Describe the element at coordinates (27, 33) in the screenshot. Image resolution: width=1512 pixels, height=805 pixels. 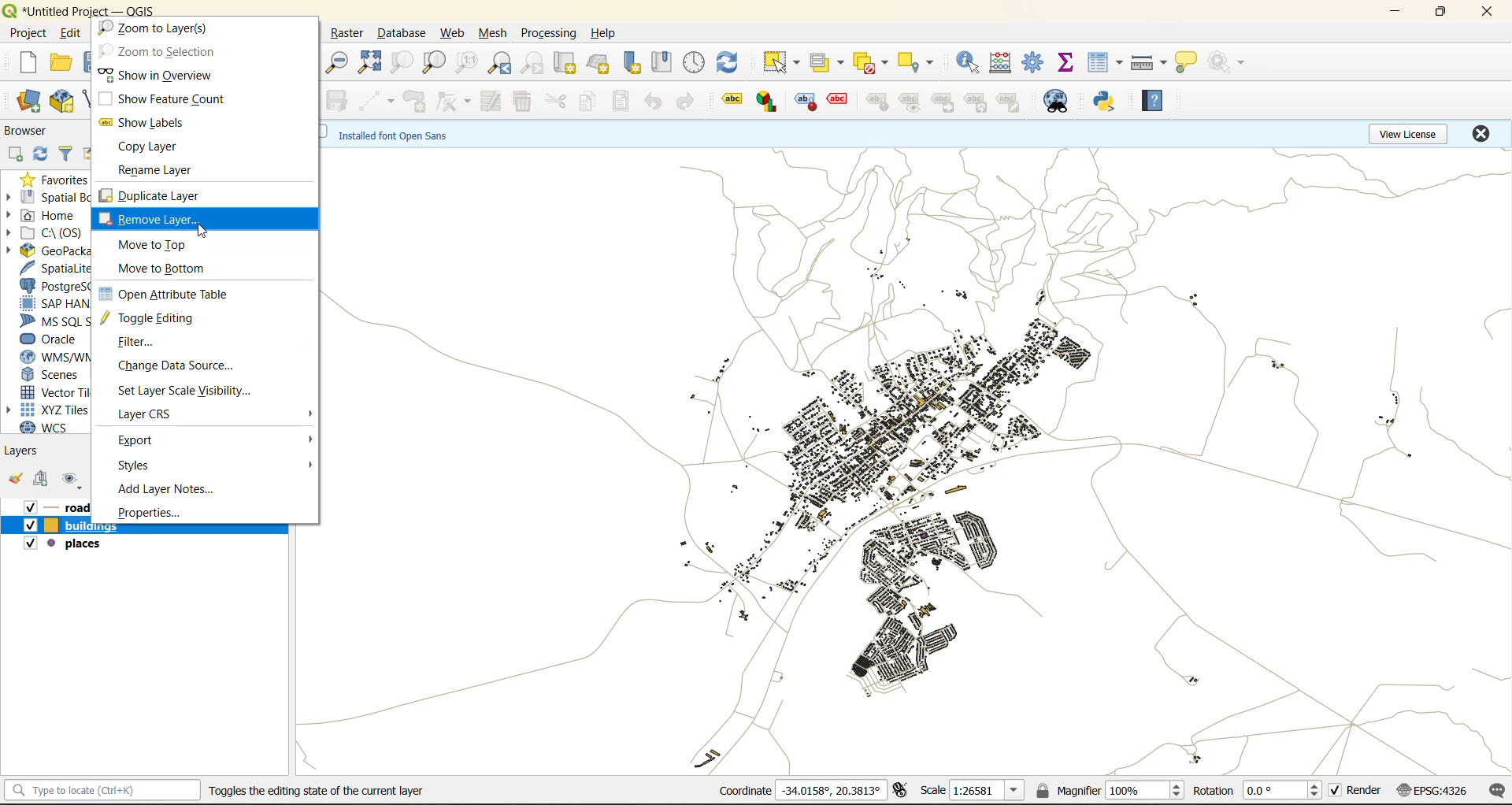
I see `project` at that location.